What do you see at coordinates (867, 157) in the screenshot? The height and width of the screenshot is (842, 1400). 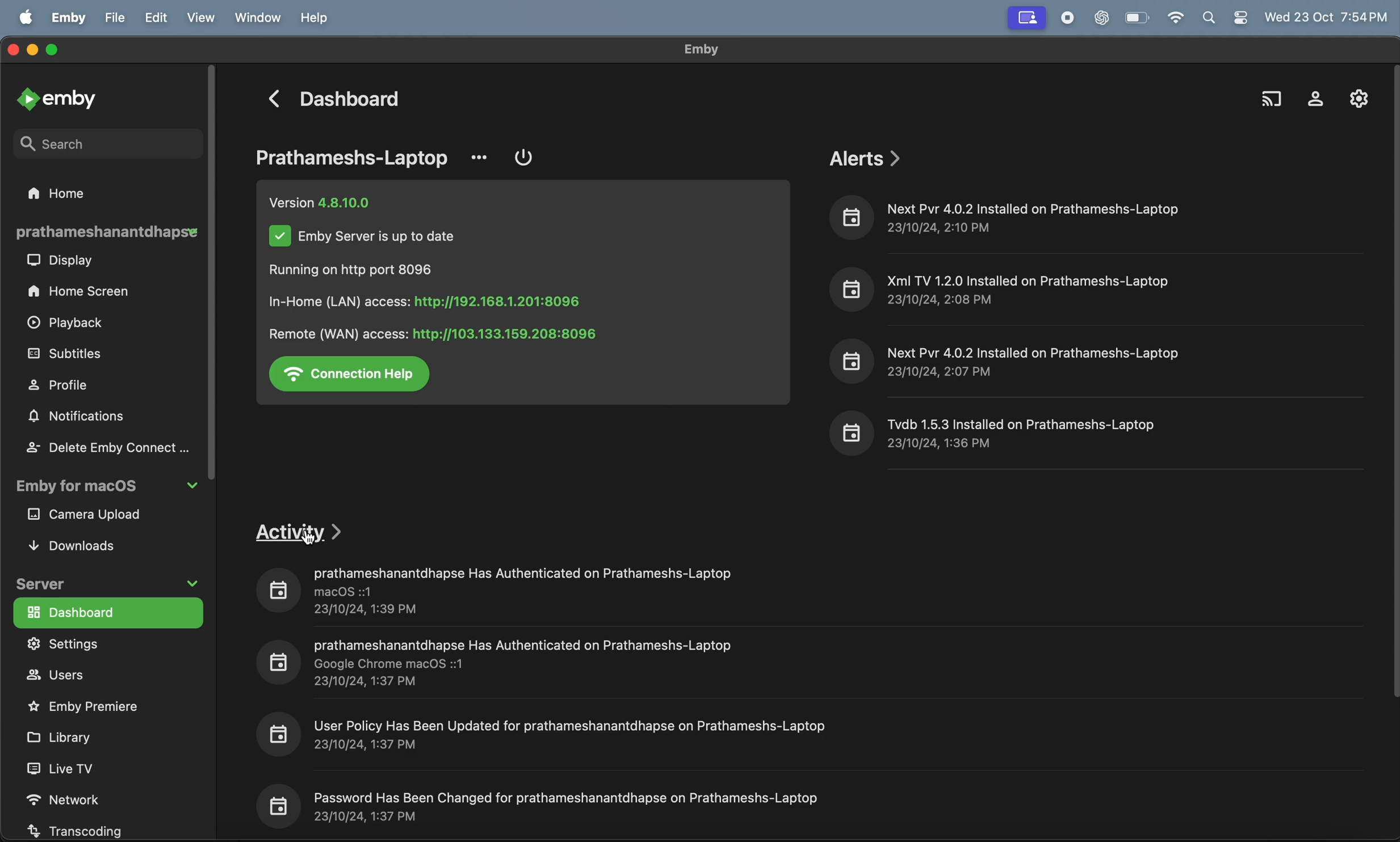 I see `alerts` at bounding box center [867, 157].